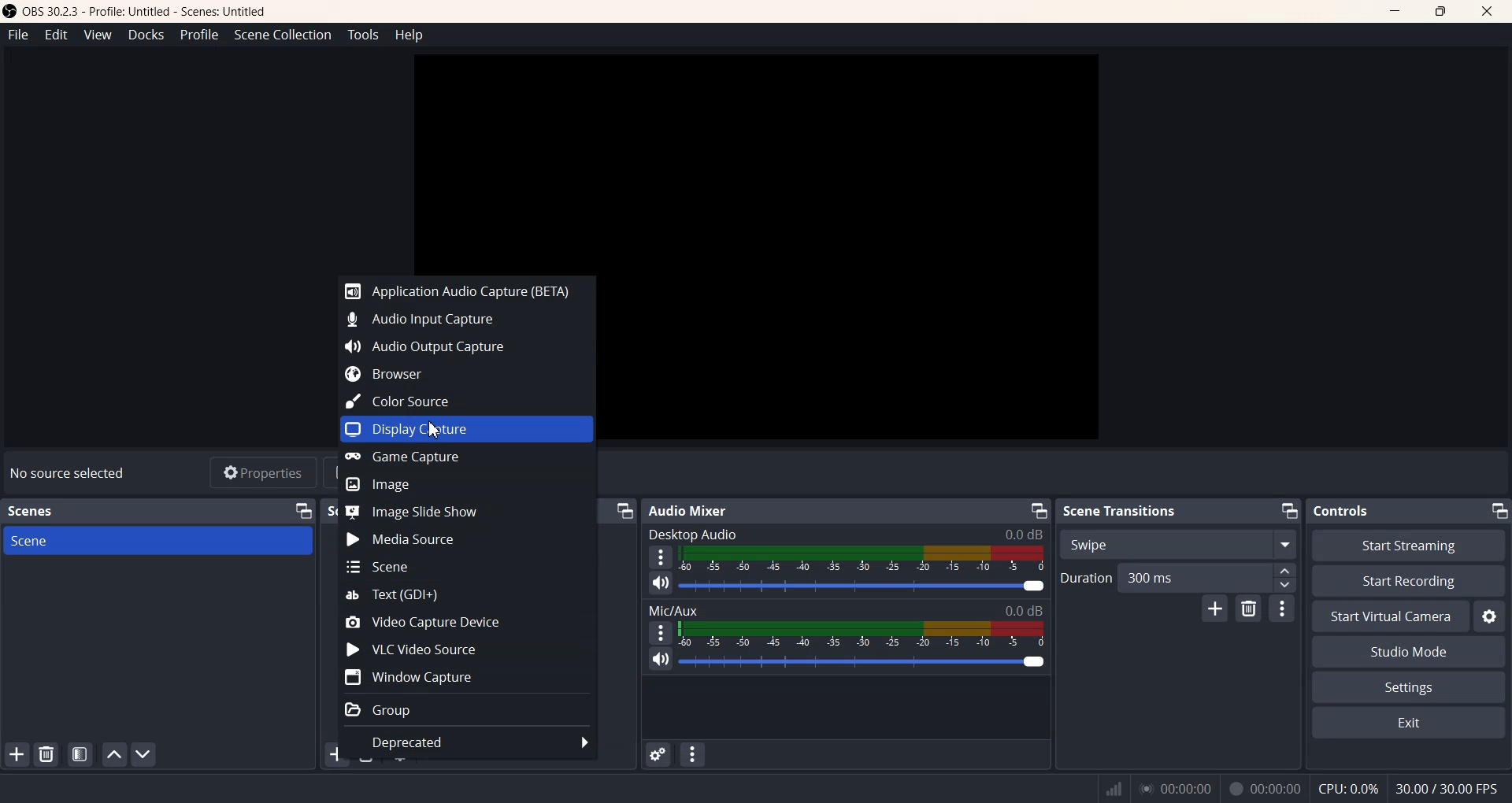  I want to click on Audio Input Capture, so click(465, 320).